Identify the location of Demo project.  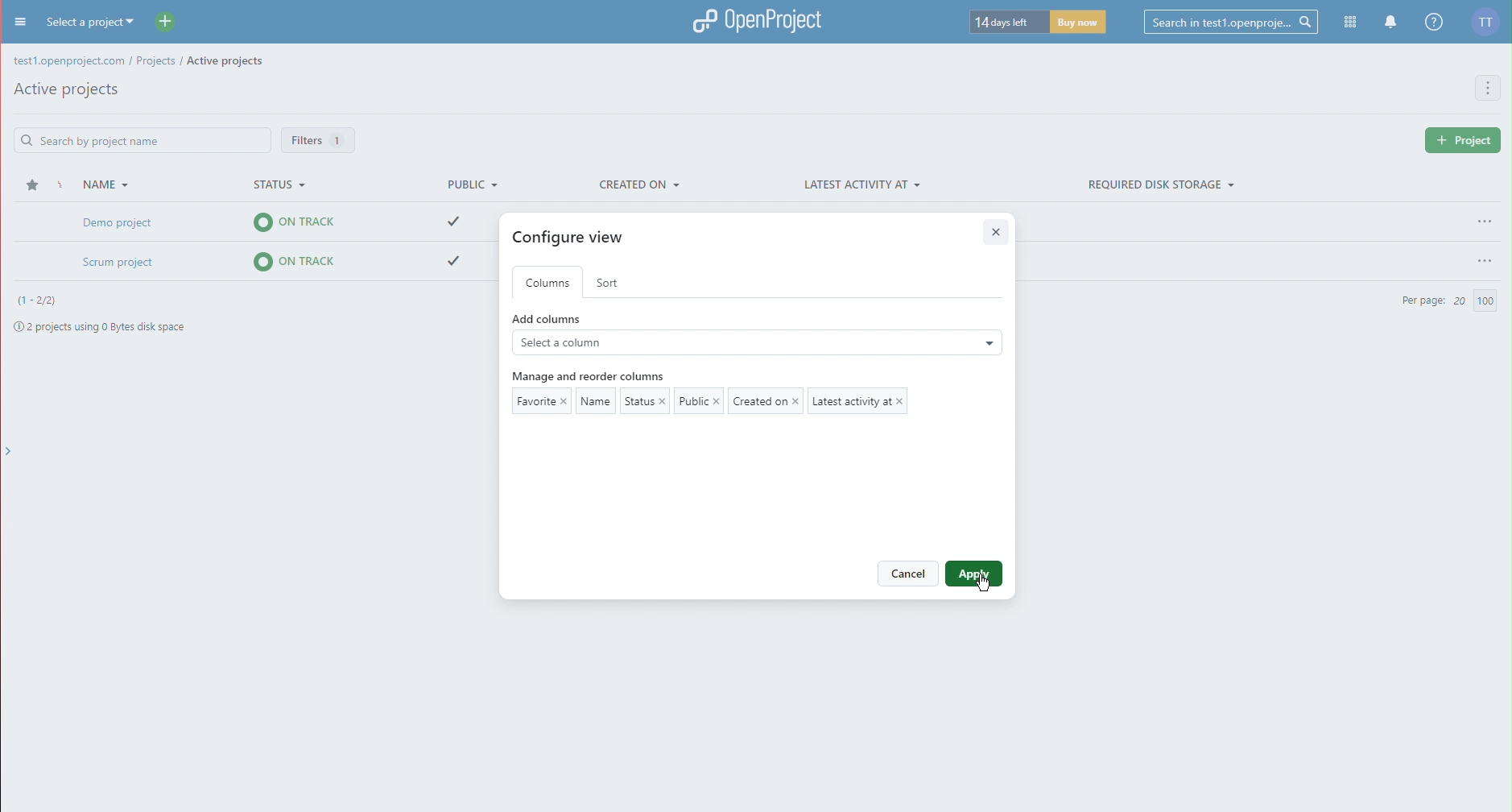
(275, 223).